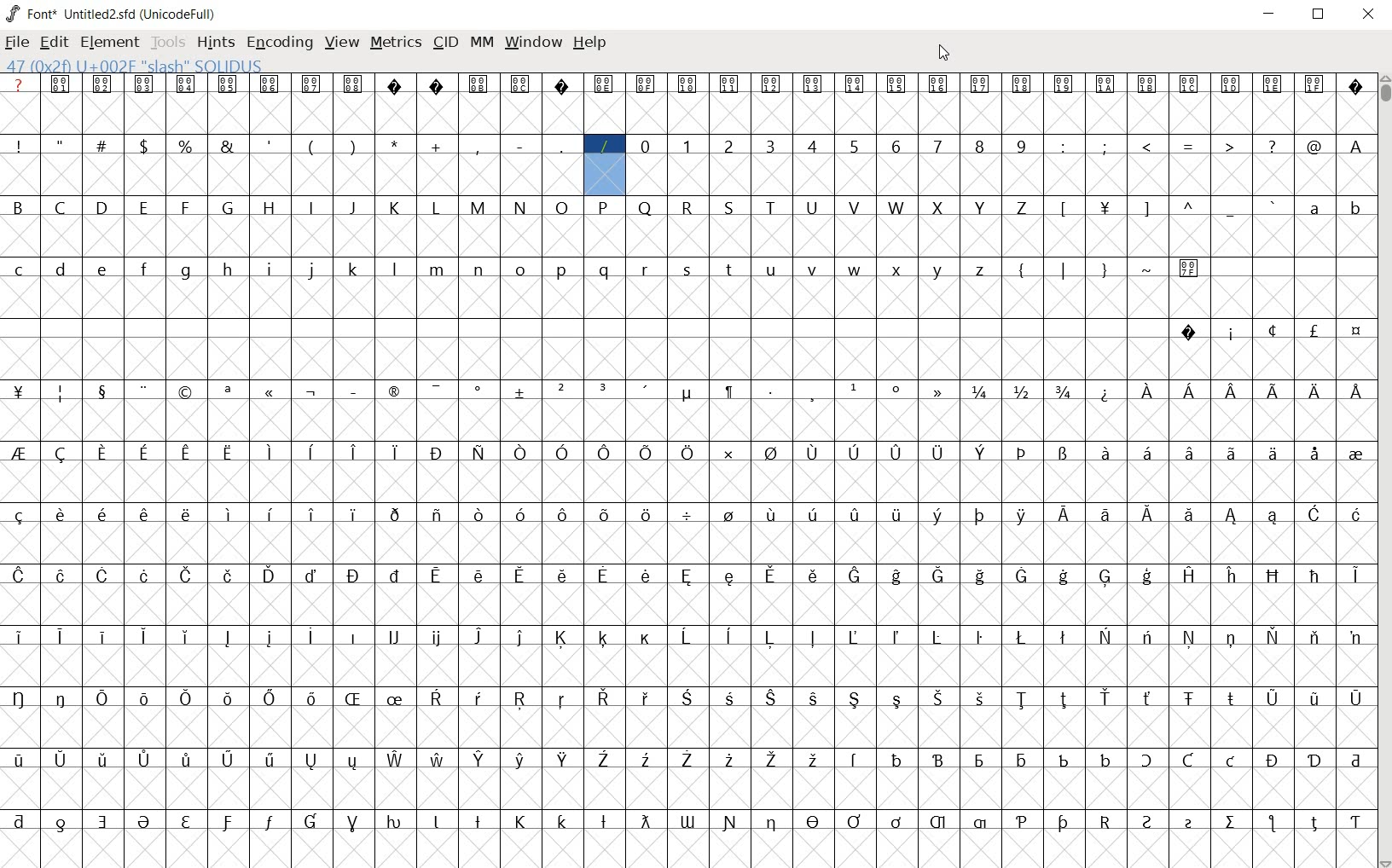 This screenshot has height=868, width=1392. I want to click on glyph, so click(896, 84).